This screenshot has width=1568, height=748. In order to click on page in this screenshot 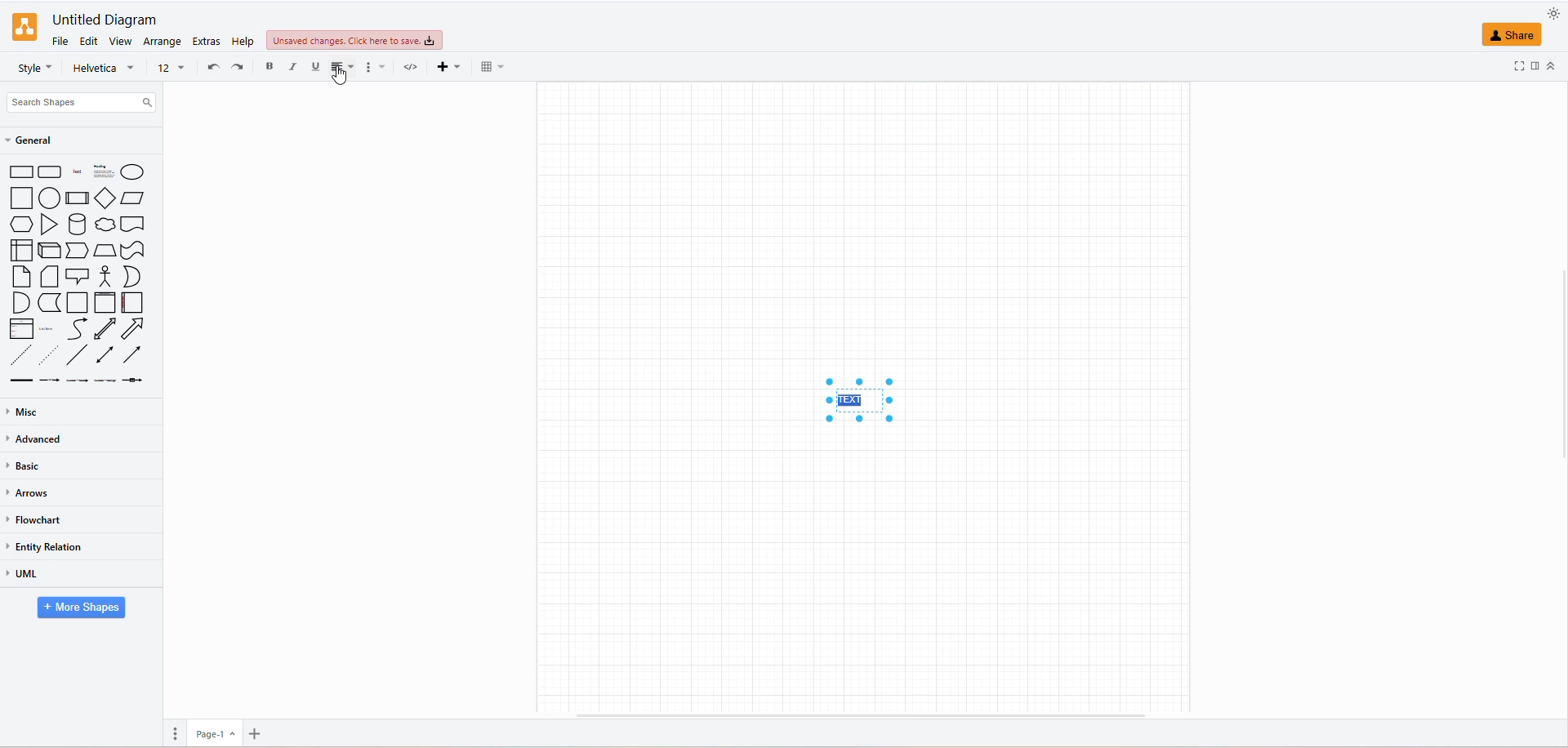, I will do `click(177, 733)`.